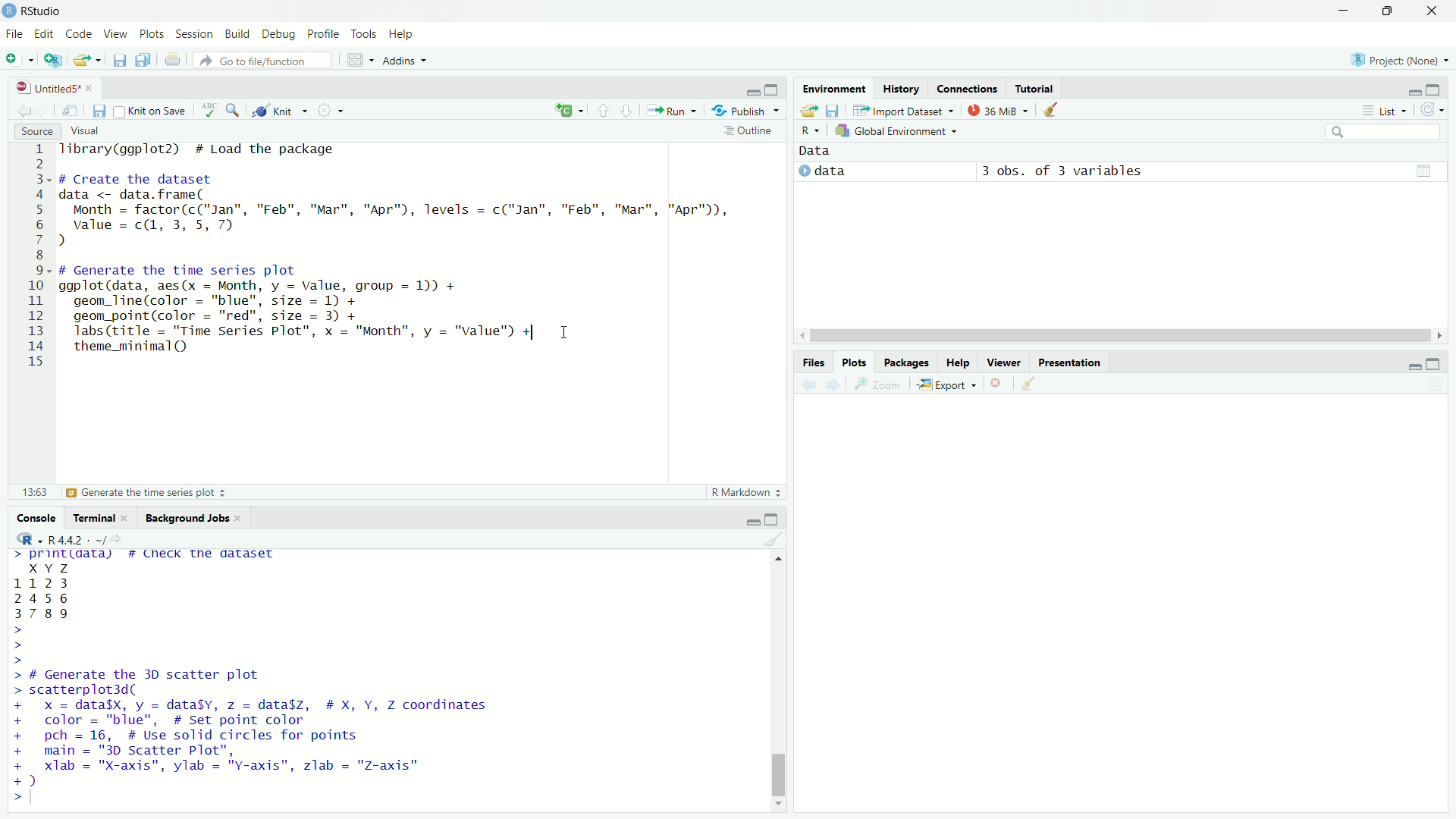  What do you see at coordinates (1441, 88) in the screenshot?
I see `maximize` at bounding box center [1441, 88].